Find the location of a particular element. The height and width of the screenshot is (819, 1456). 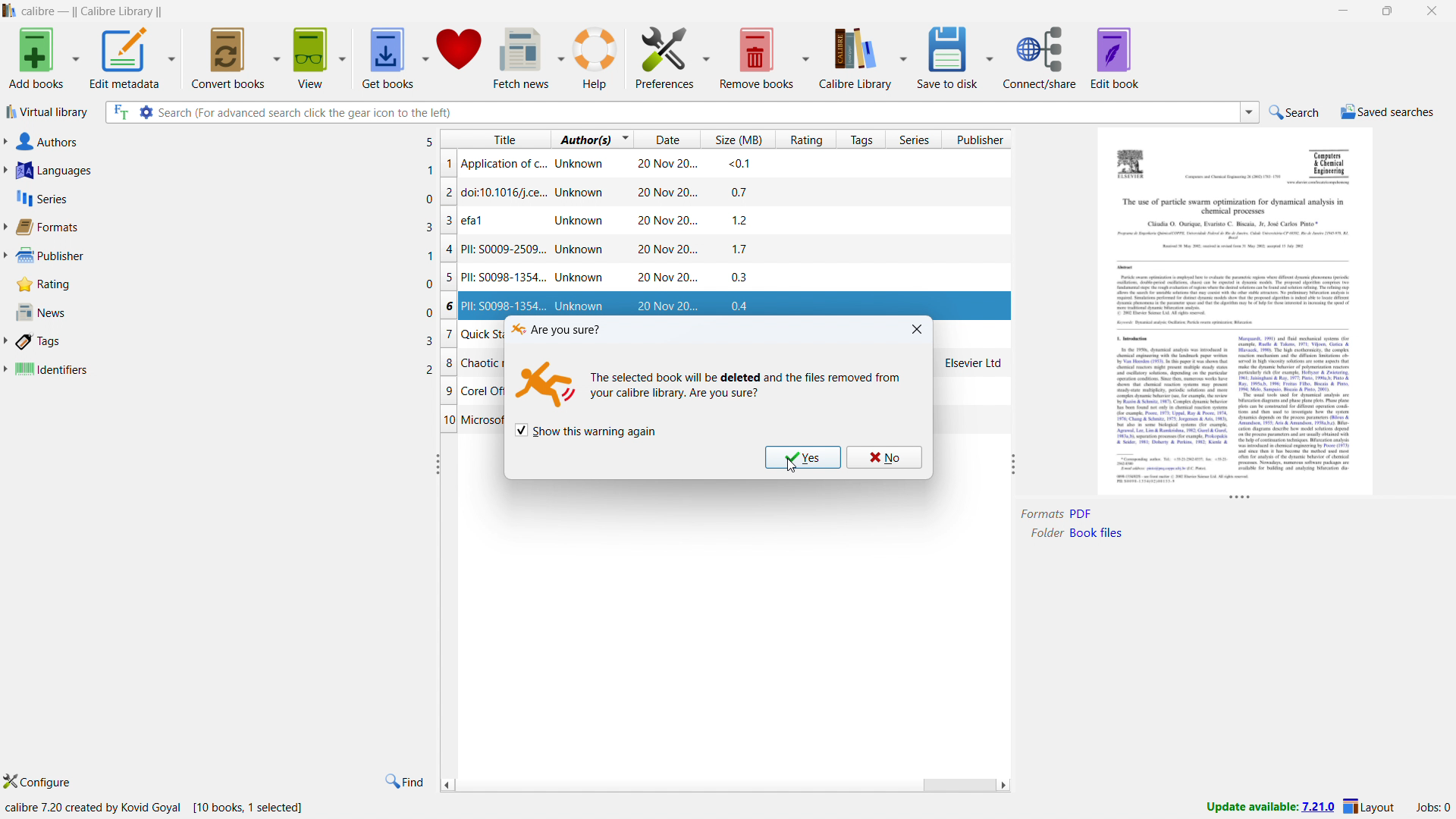

PIL: S009-2509... is located at coordinates (732, 251).